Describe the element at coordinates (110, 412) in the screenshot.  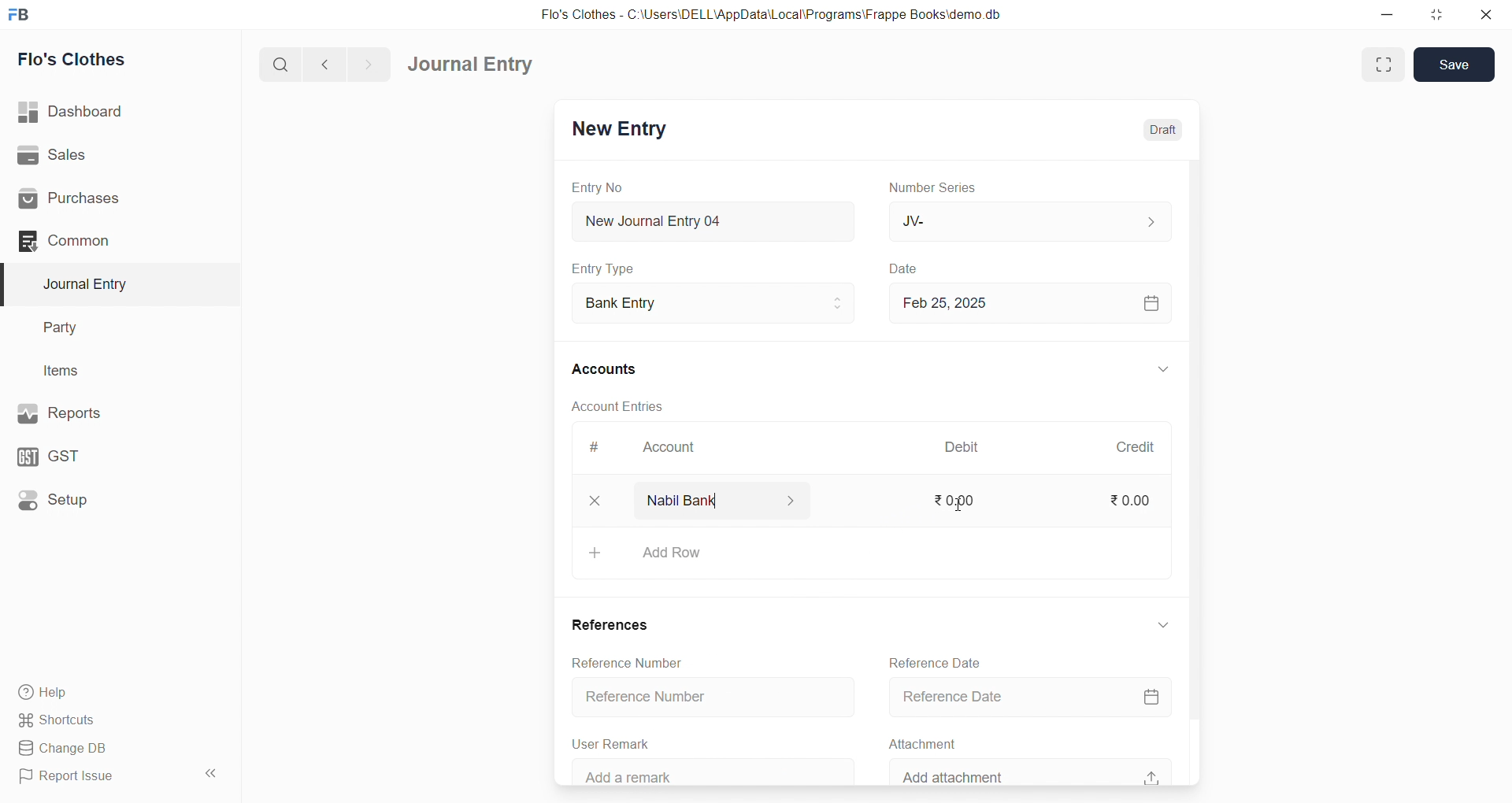
I see `Reports` at that location.